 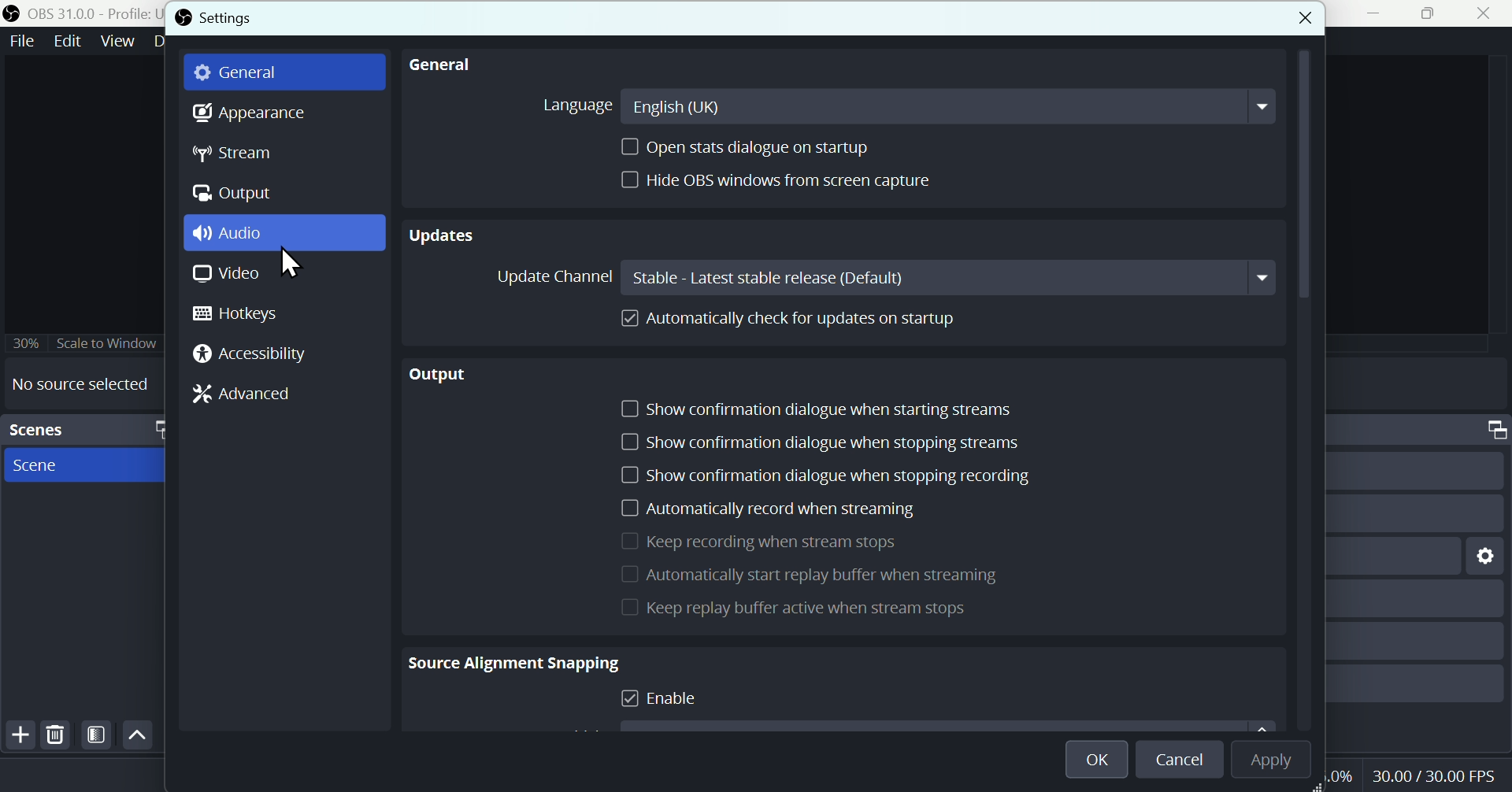 What do you see at coordinates (250, 356) in the screenshot?
I see `Accessibility` at bounding box center [250, 356].